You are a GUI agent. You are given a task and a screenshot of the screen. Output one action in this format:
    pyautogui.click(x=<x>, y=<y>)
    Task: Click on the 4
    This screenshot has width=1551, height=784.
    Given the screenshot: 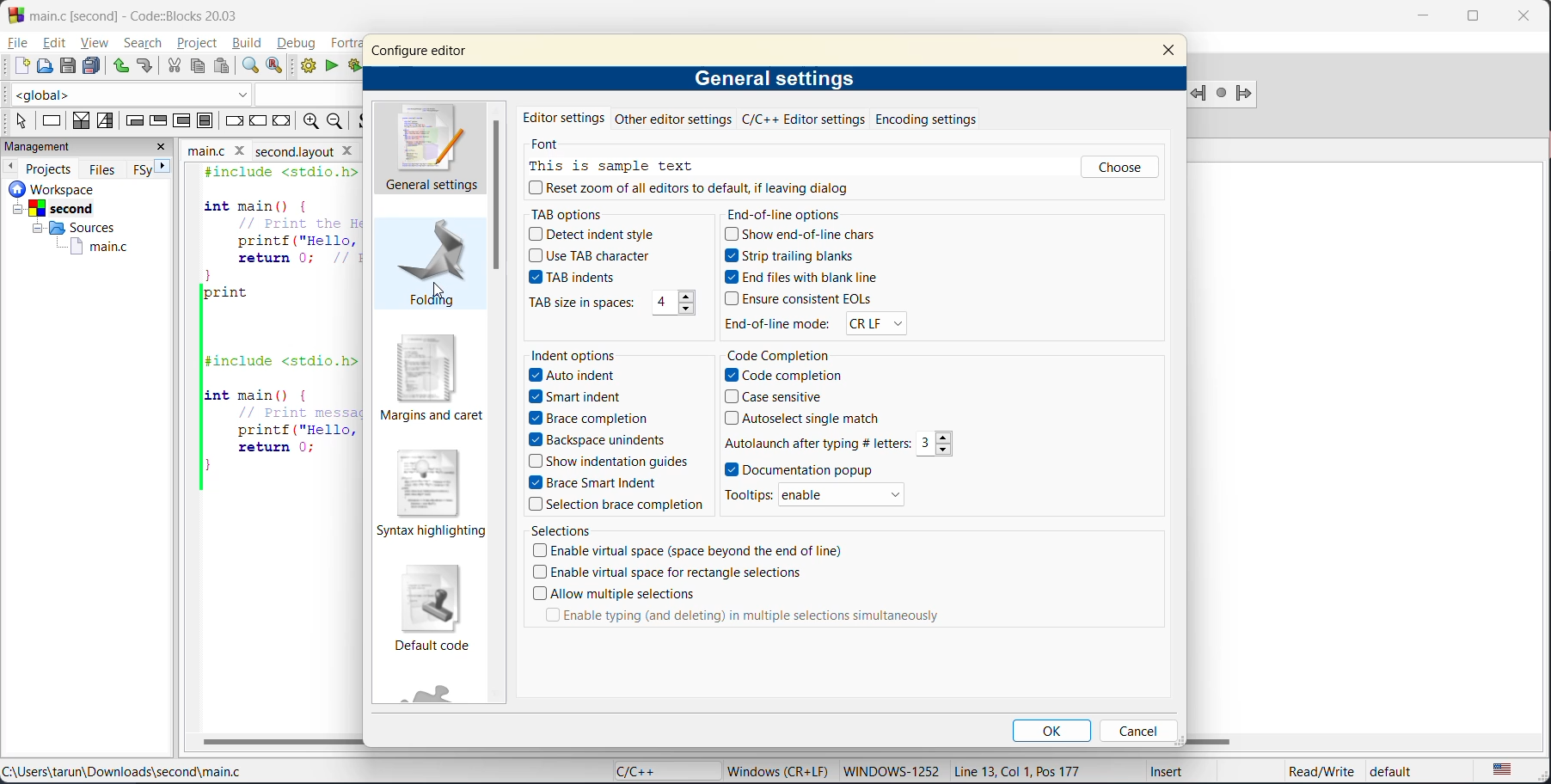 What is the action you would take?
    pyautogui.click(x=674, y=301)
    